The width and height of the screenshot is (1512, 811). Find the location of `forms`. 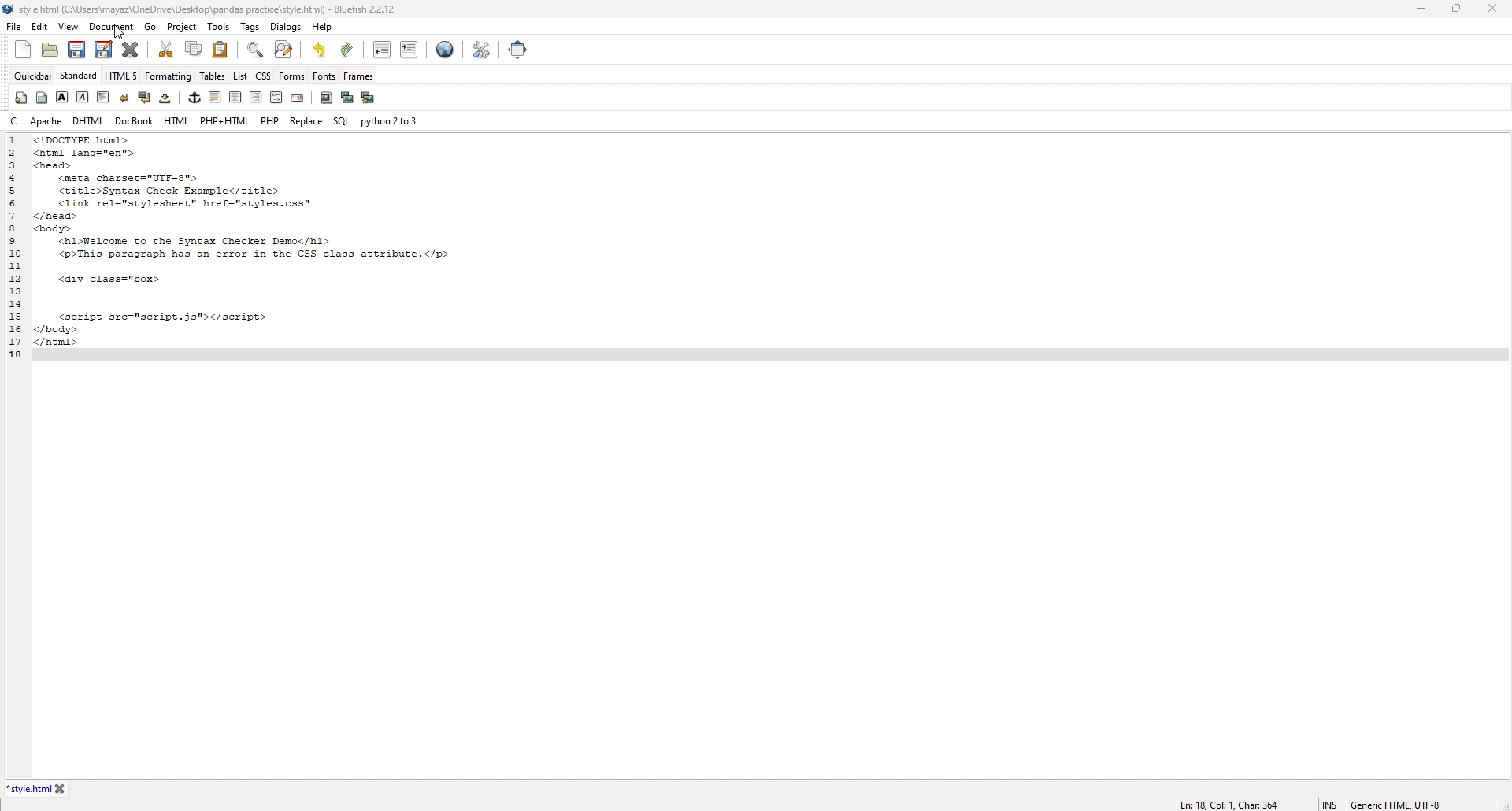

forms is located at coordinates (292, 75).